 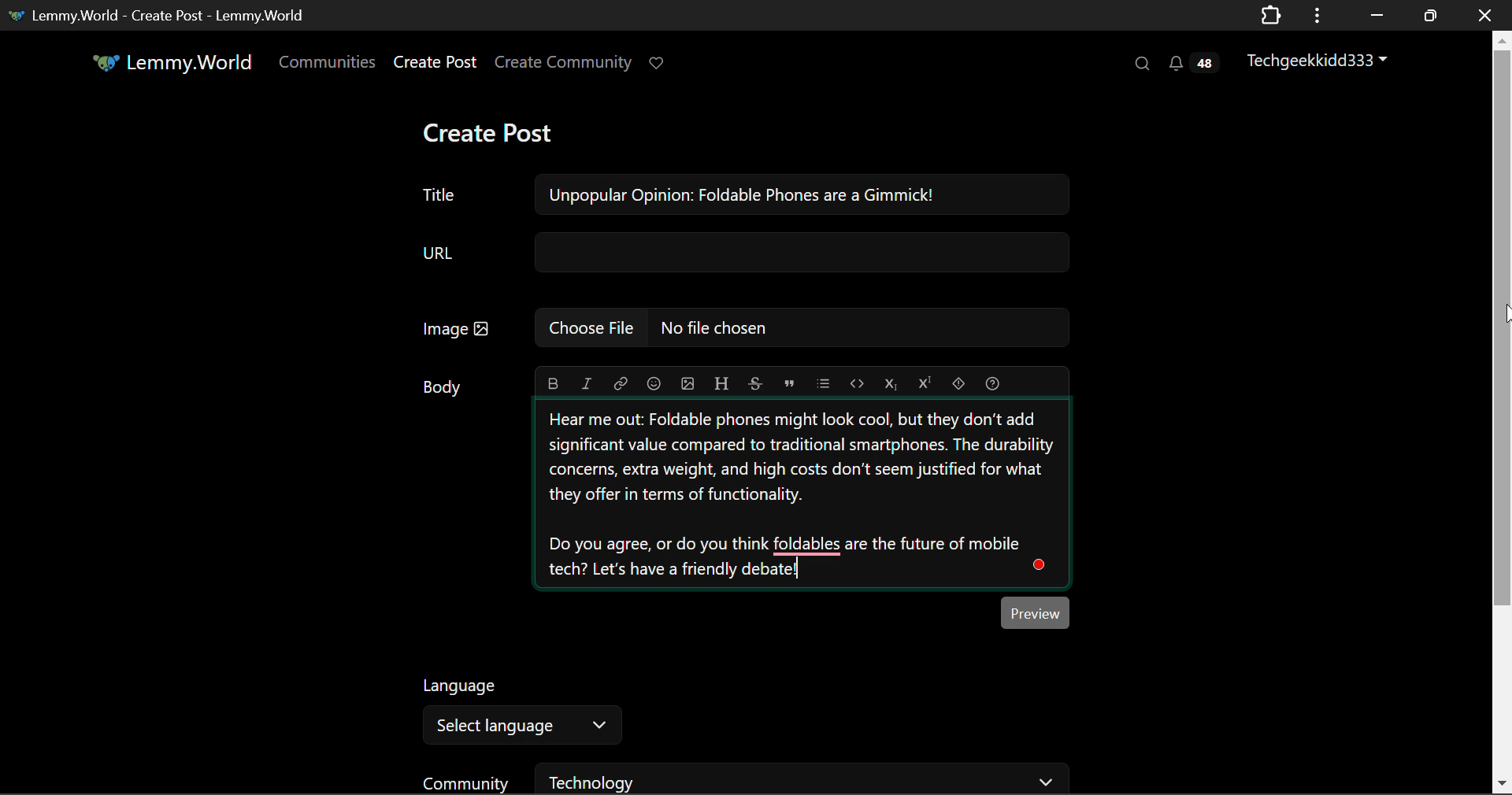 I want to click on list, so click(x=825, y=381).